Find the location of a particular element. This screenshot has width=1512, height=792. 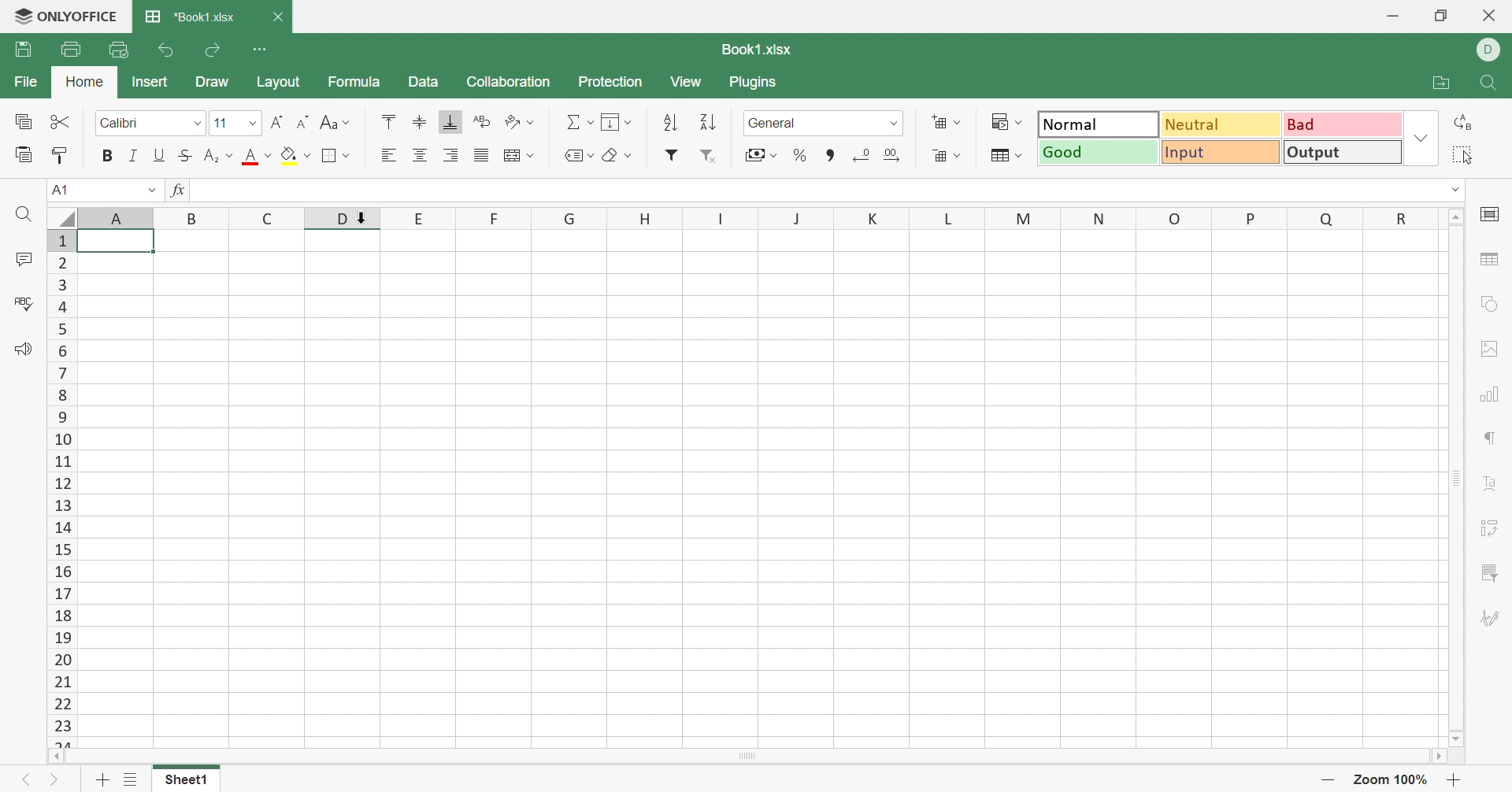

Drop Down is located at coordinates (1017, 121).